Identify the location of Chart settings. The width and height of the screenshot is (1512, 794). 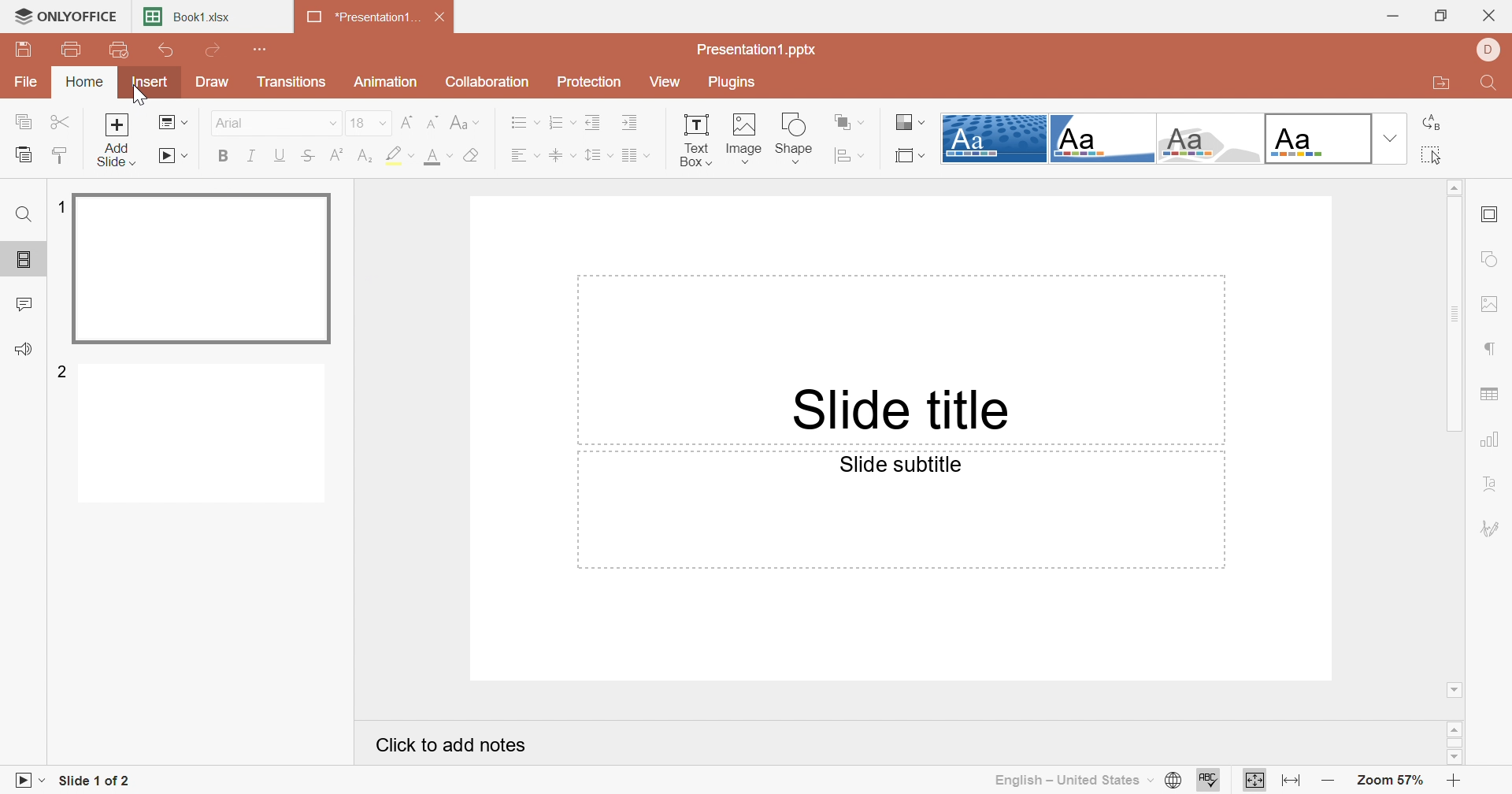
(1492, 440).